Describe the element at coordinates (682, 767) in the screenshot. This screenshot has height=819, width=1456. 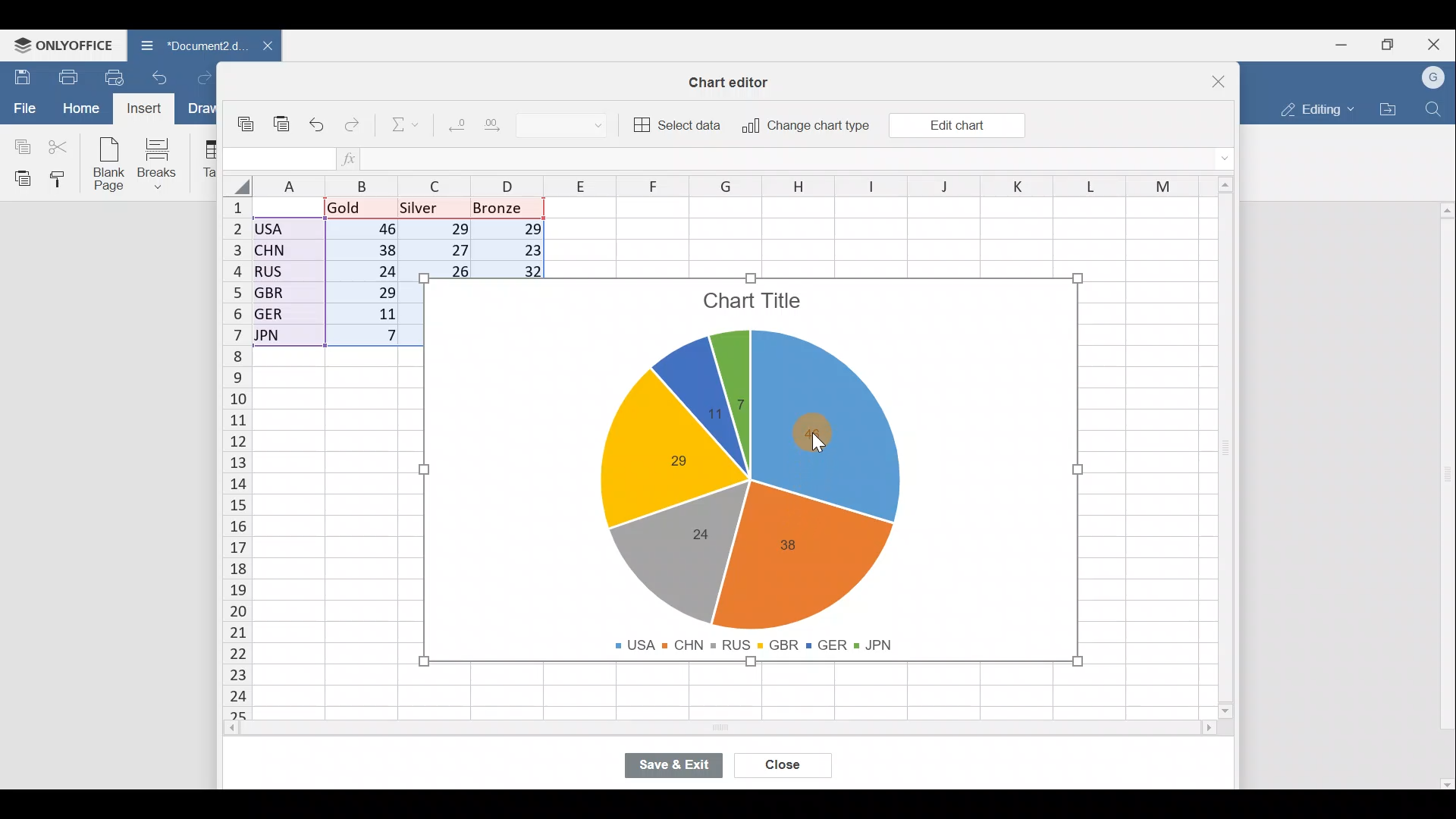
I see `Save & exit` at that location.